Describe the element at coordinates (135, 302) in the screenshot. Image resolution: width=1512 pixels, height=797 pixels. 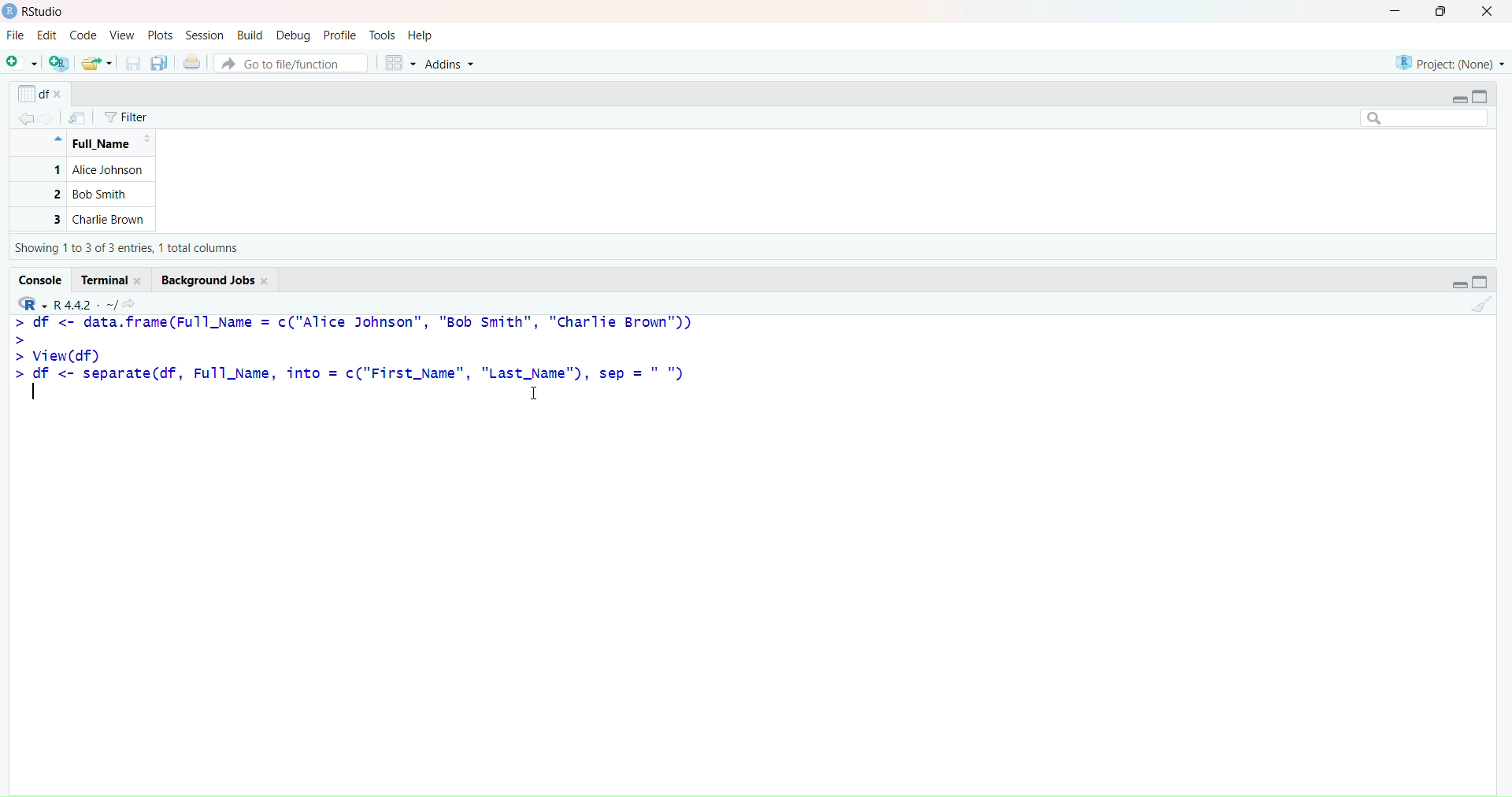
I see `View the current working directory` at that location.